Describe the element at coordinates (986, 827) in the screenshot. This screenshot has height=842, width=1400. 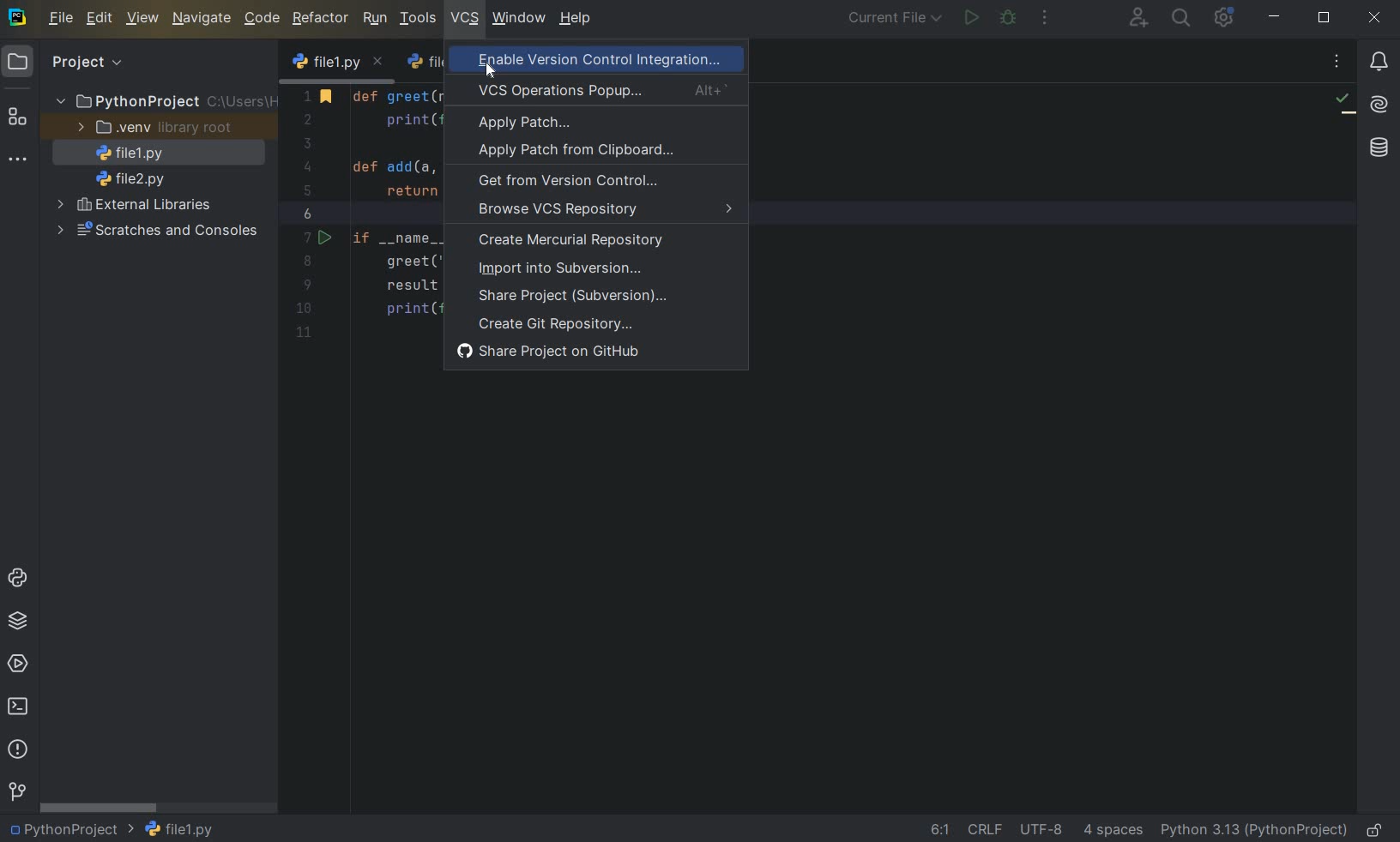
I see `line separator` at that location.